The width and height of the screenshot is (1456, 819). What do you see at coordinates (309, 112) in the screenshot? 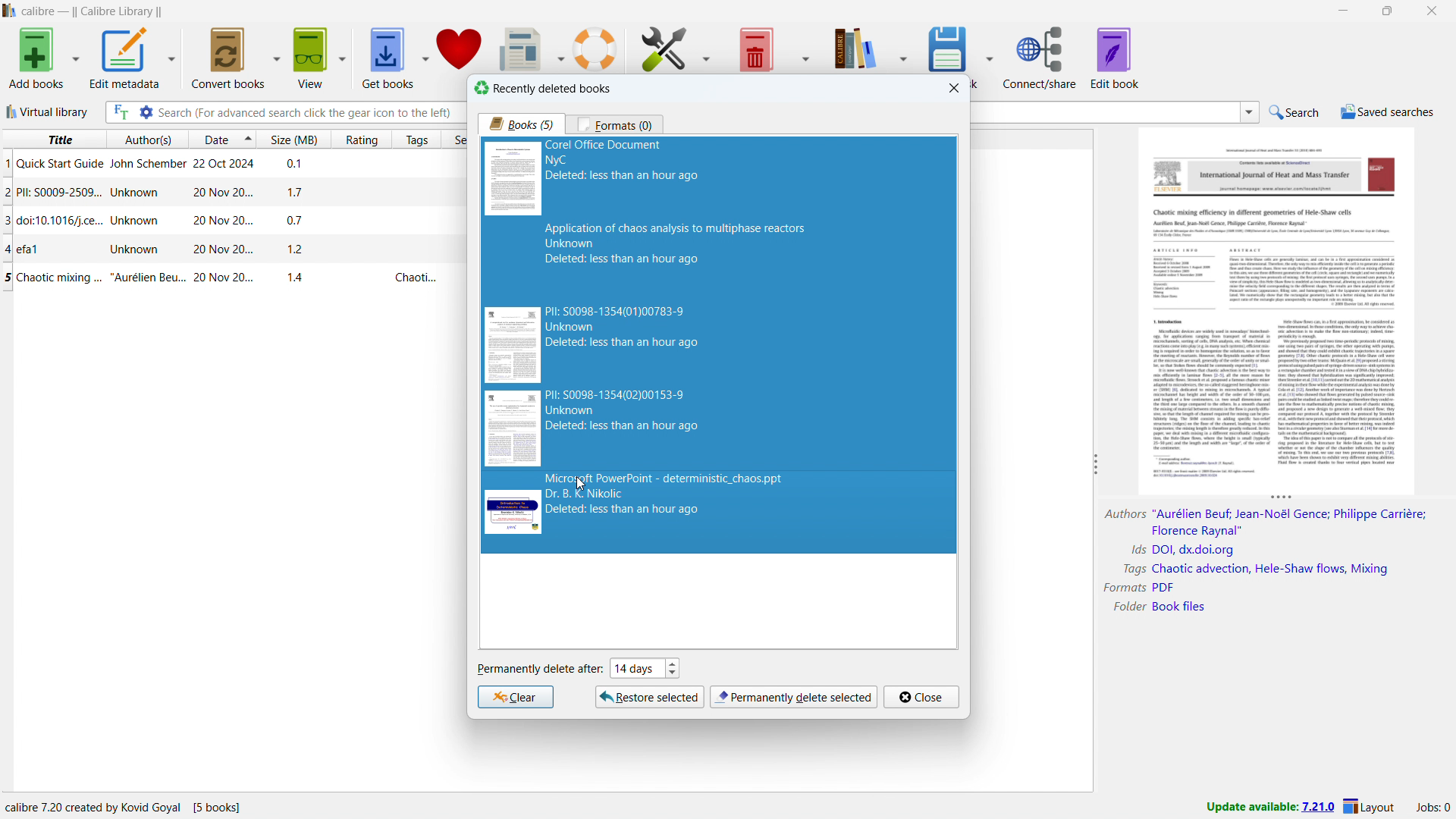
I see `enter search string` at bounding box center [309, 112].